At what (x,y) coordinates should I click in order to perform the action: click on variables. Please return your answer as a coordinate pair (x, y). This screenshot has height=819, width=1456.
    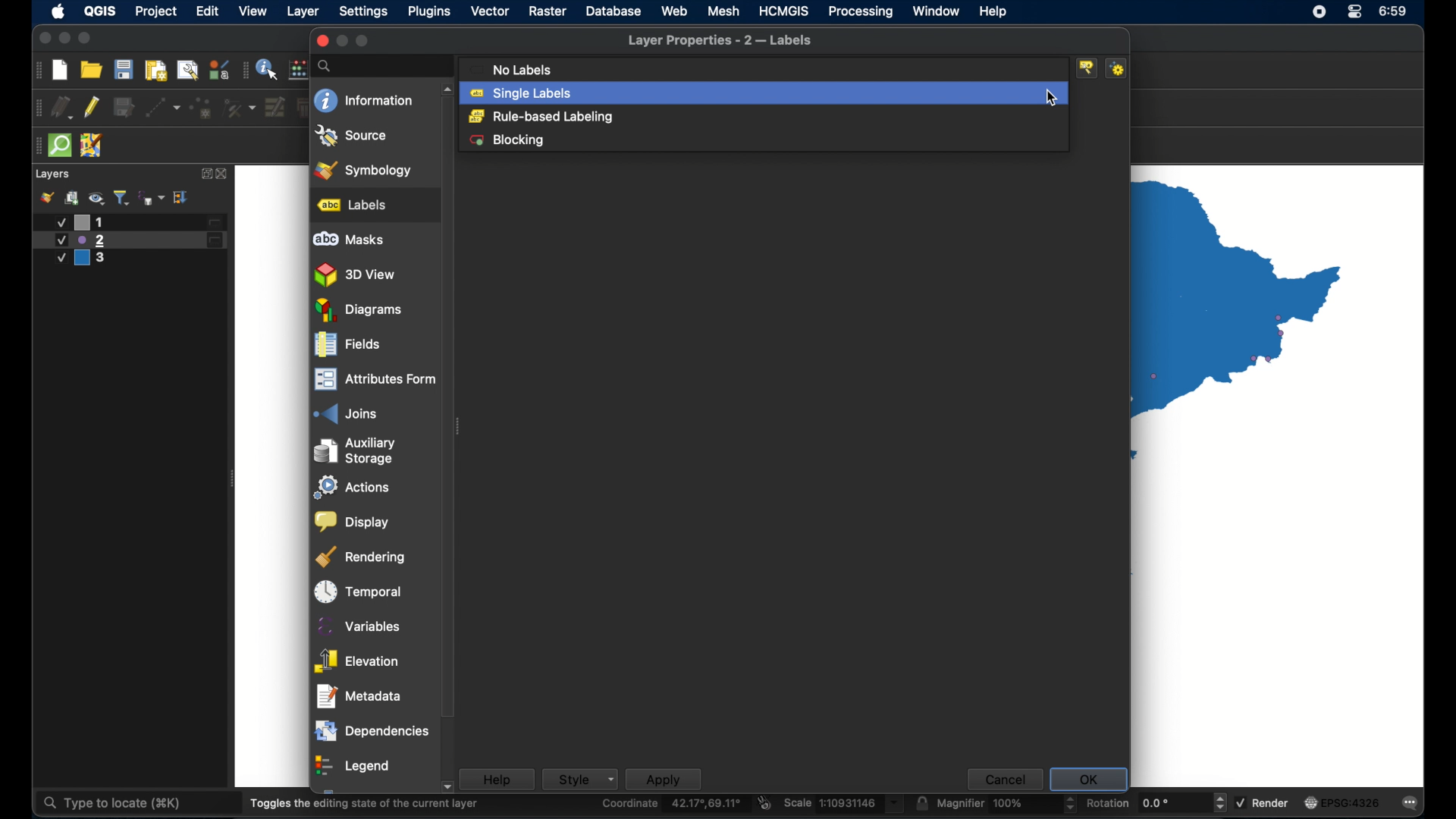
    Looking at the image, I should click on (357, 626).